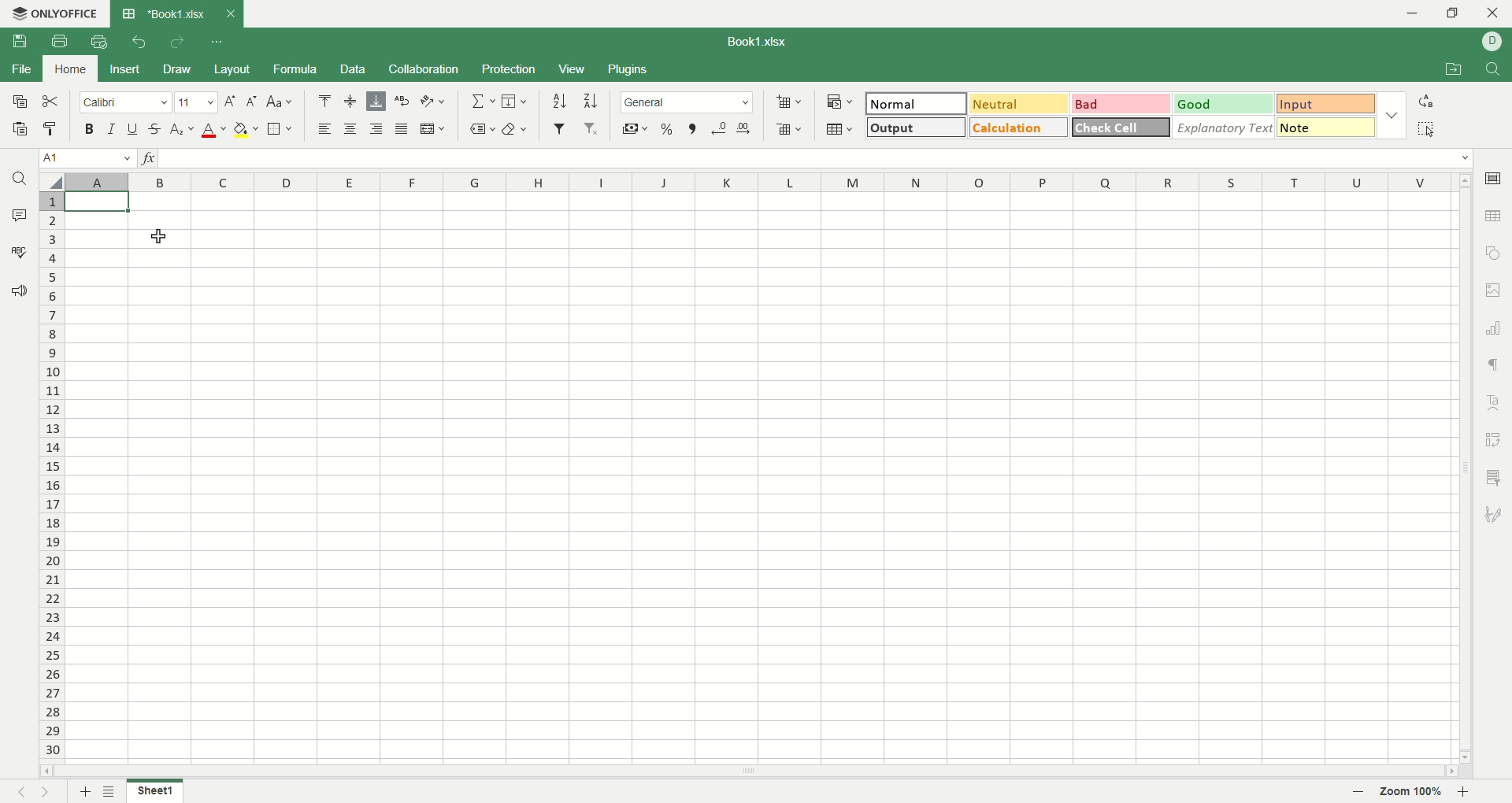  I want to click on column name, so click(763, 183).